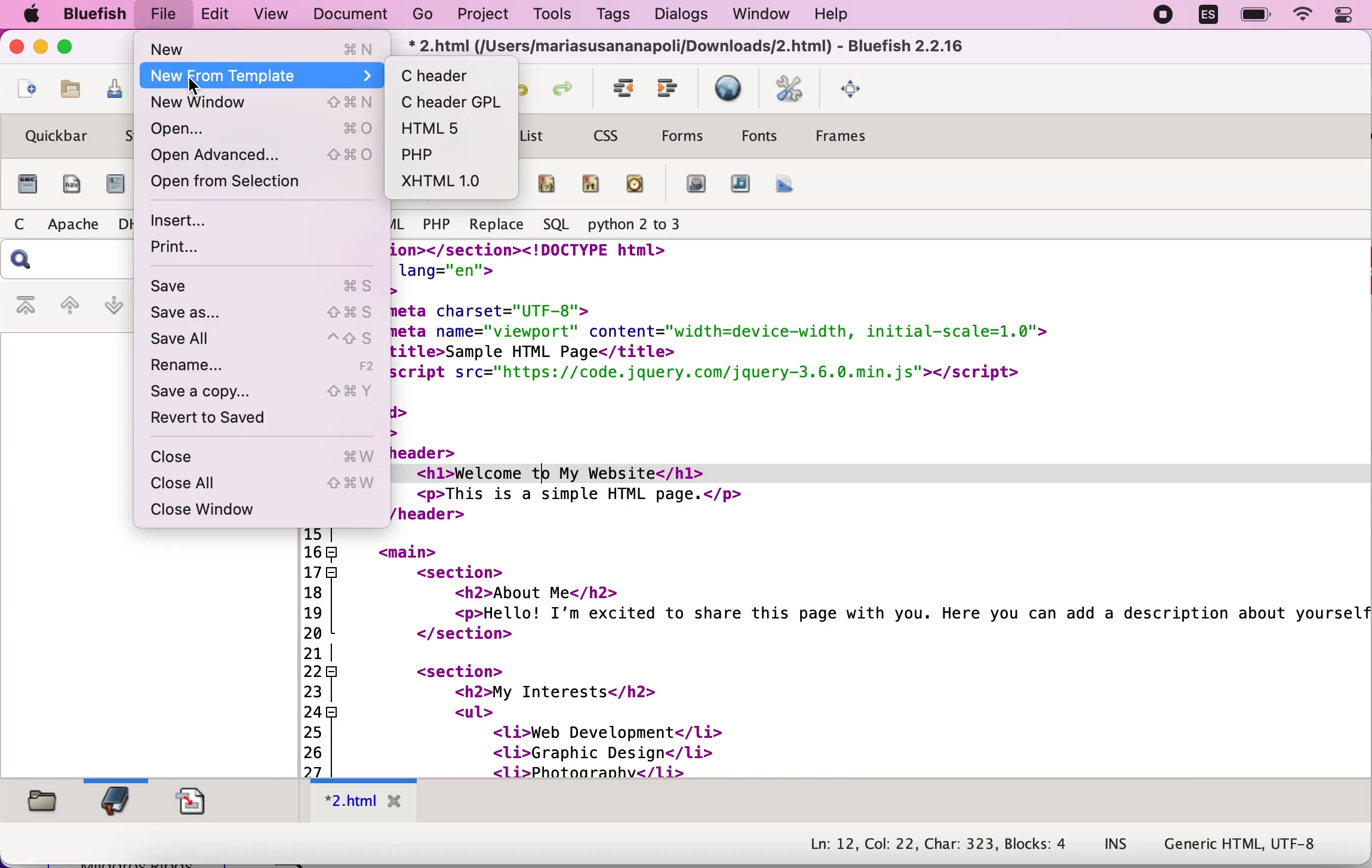  Describe the element at coordinates (230, 422) in the screenshot. I see `revert to saved` at that location.